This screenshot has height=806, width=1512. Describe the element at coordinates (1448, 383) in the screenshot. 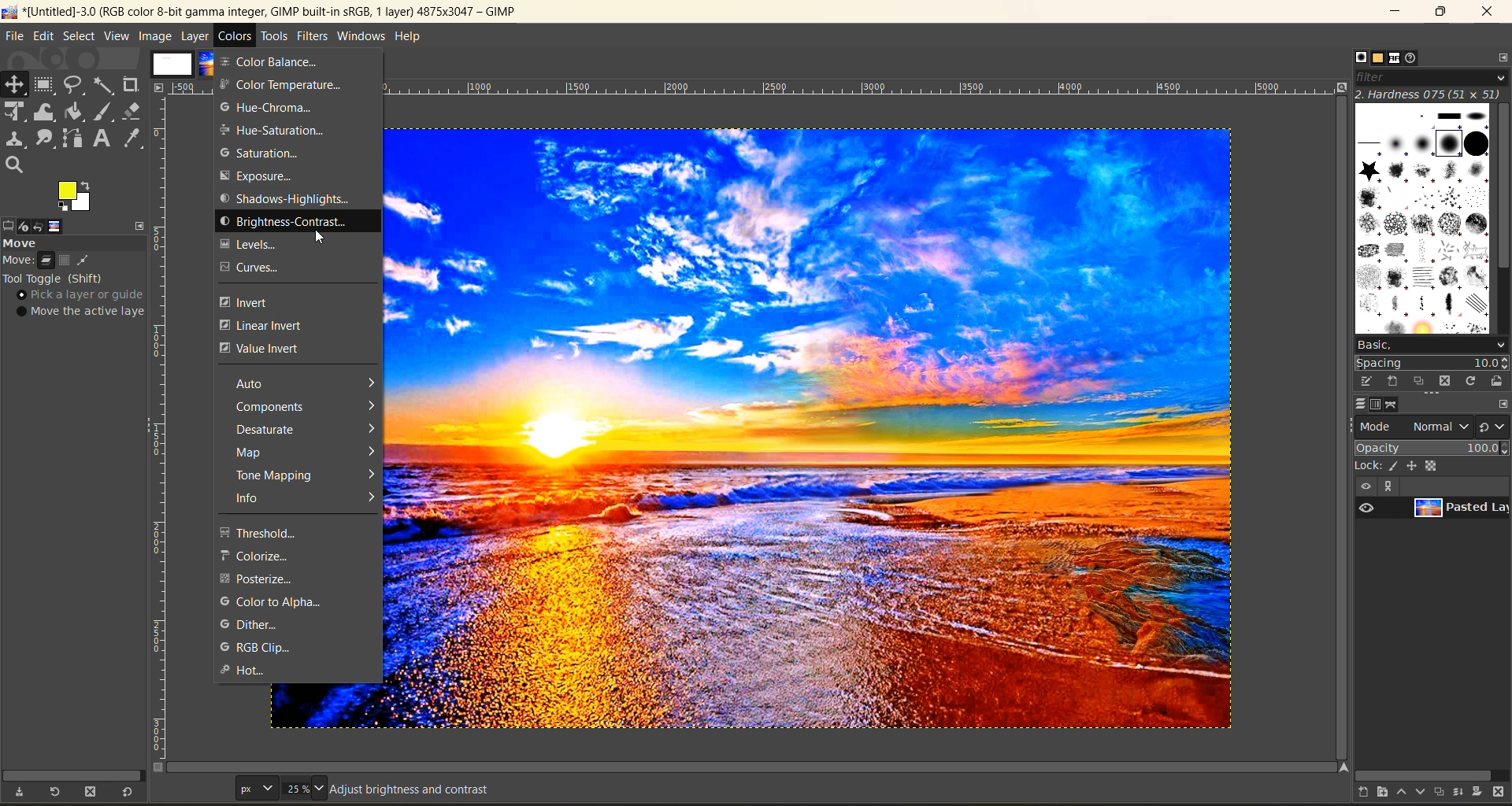

I see `delete brush` at that location.